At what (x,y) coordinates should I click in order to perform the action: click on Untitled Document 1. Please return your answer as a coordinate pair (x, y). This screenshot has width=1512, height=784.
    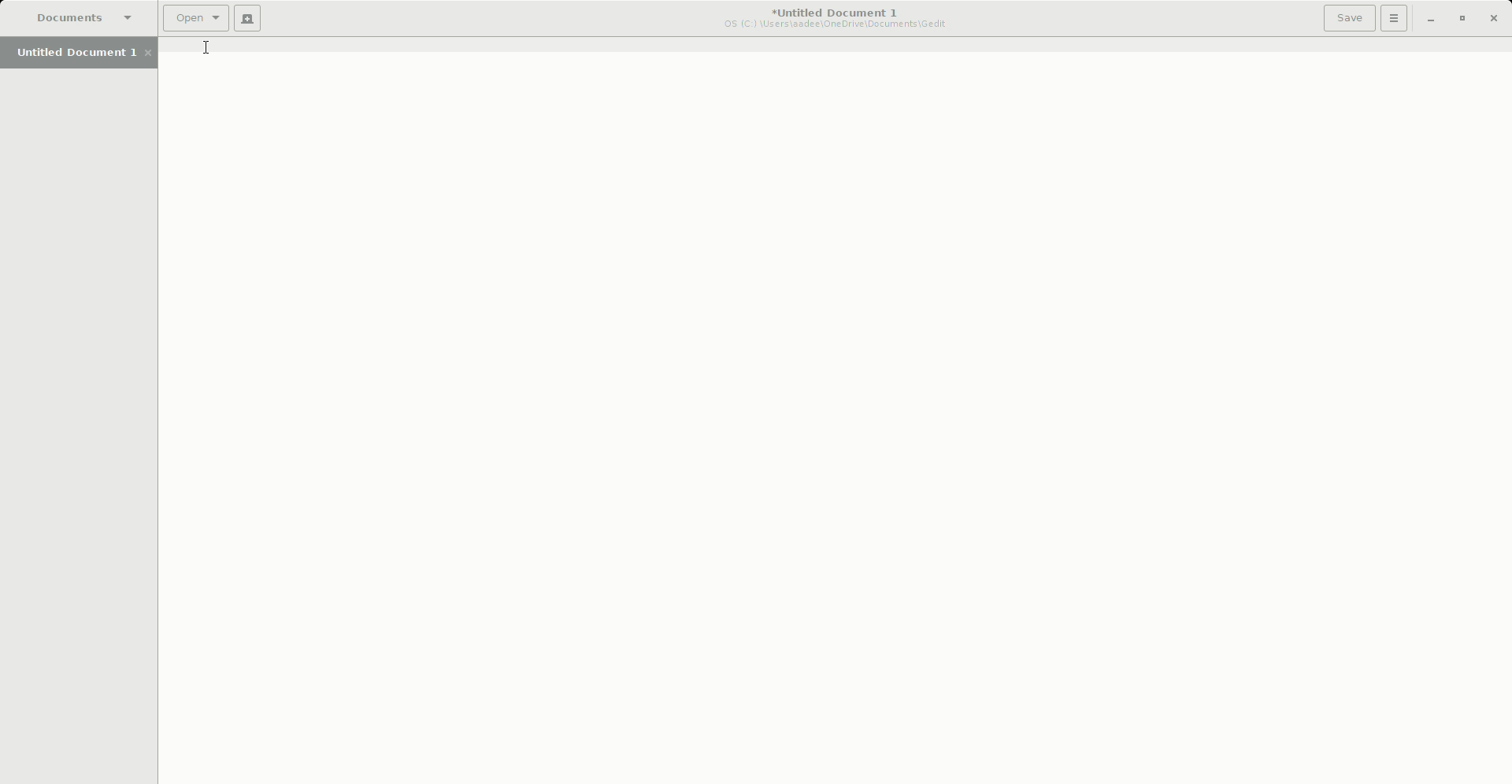
    Looking at the image, I should click on (832, 19).